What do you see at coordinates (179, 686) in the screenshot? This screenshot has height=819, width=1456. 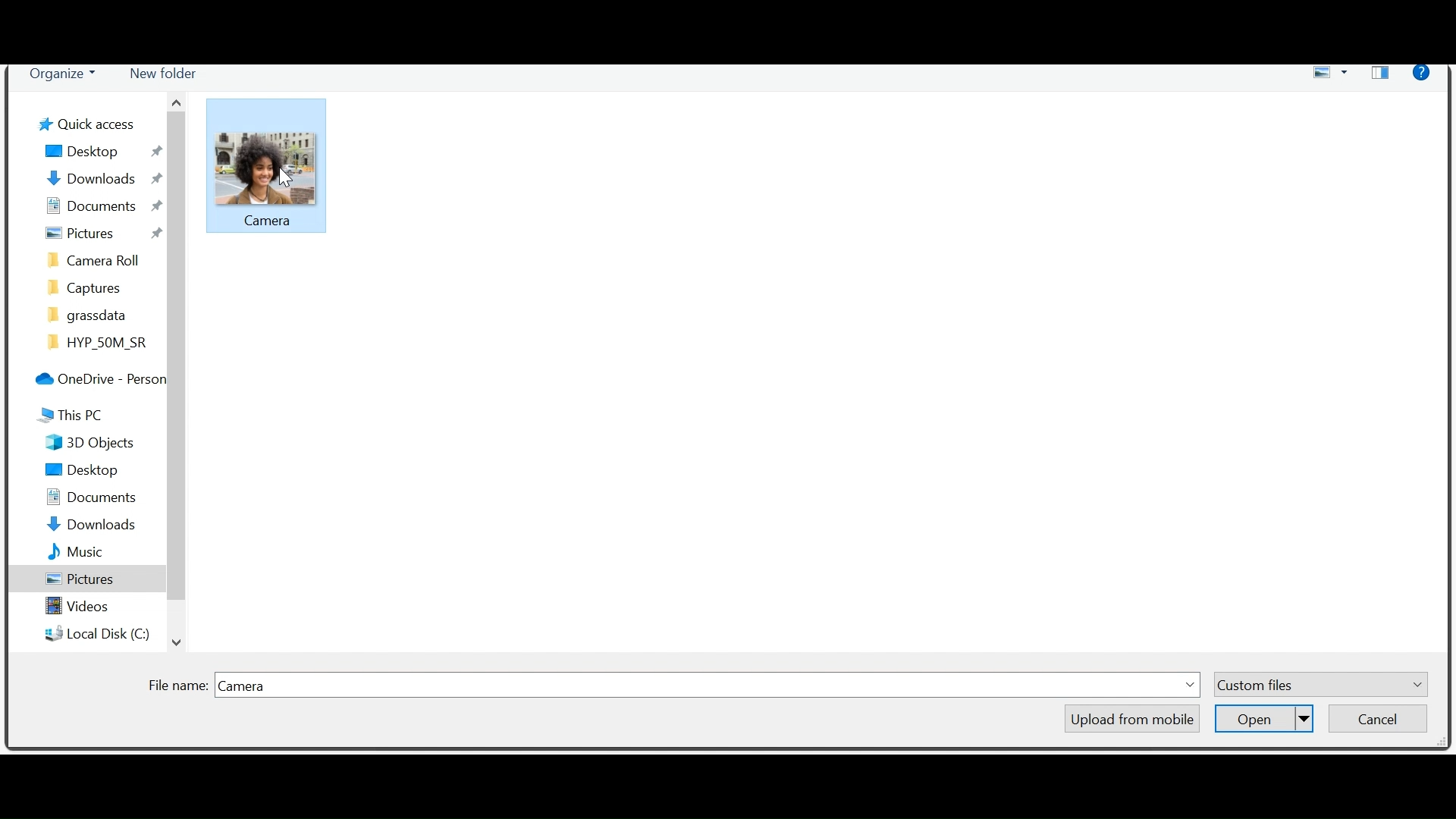 I see `File Name` at bounding box center [179, 686].